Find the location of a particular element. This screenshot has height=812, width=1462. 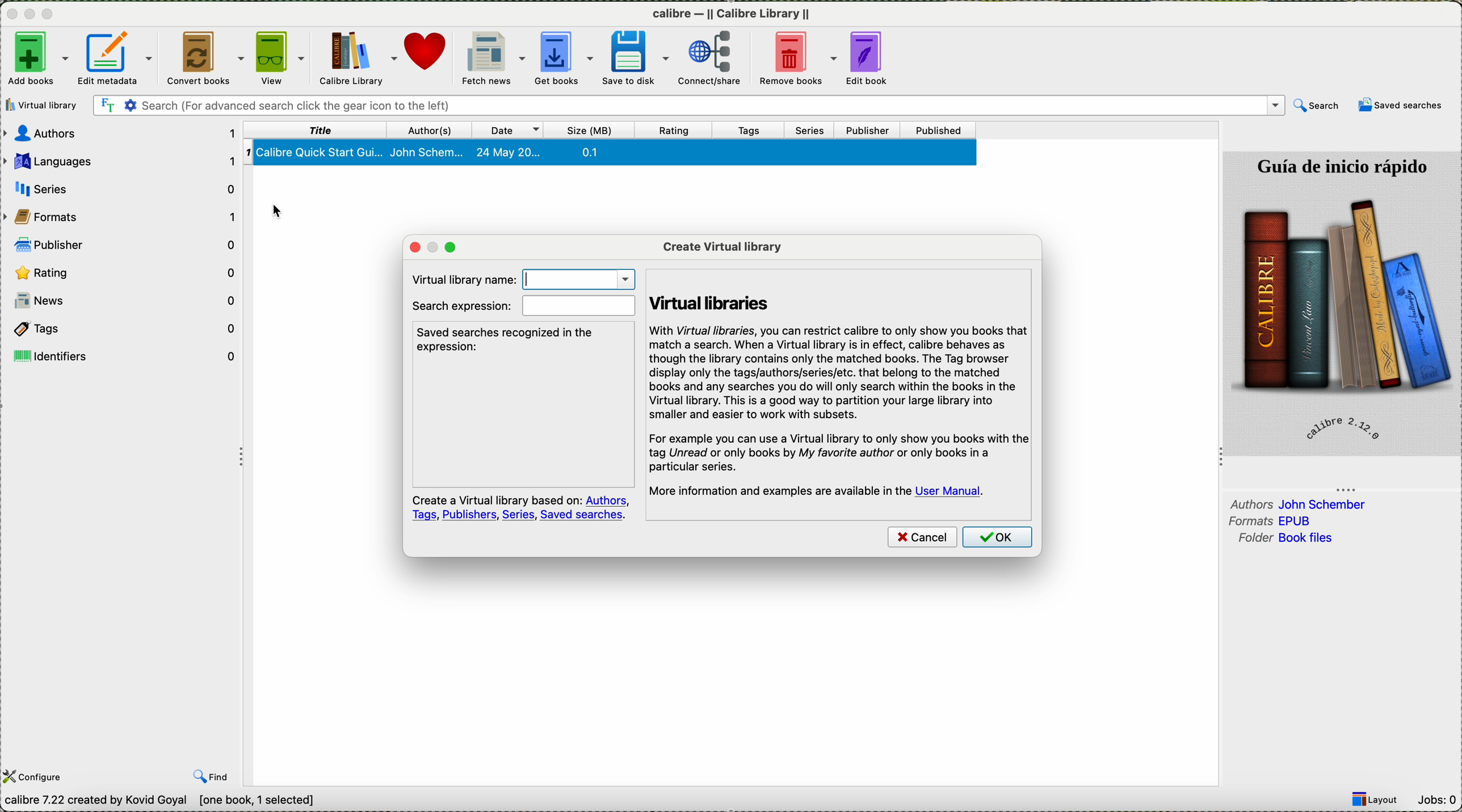

date is located at coordinates (512, 129).